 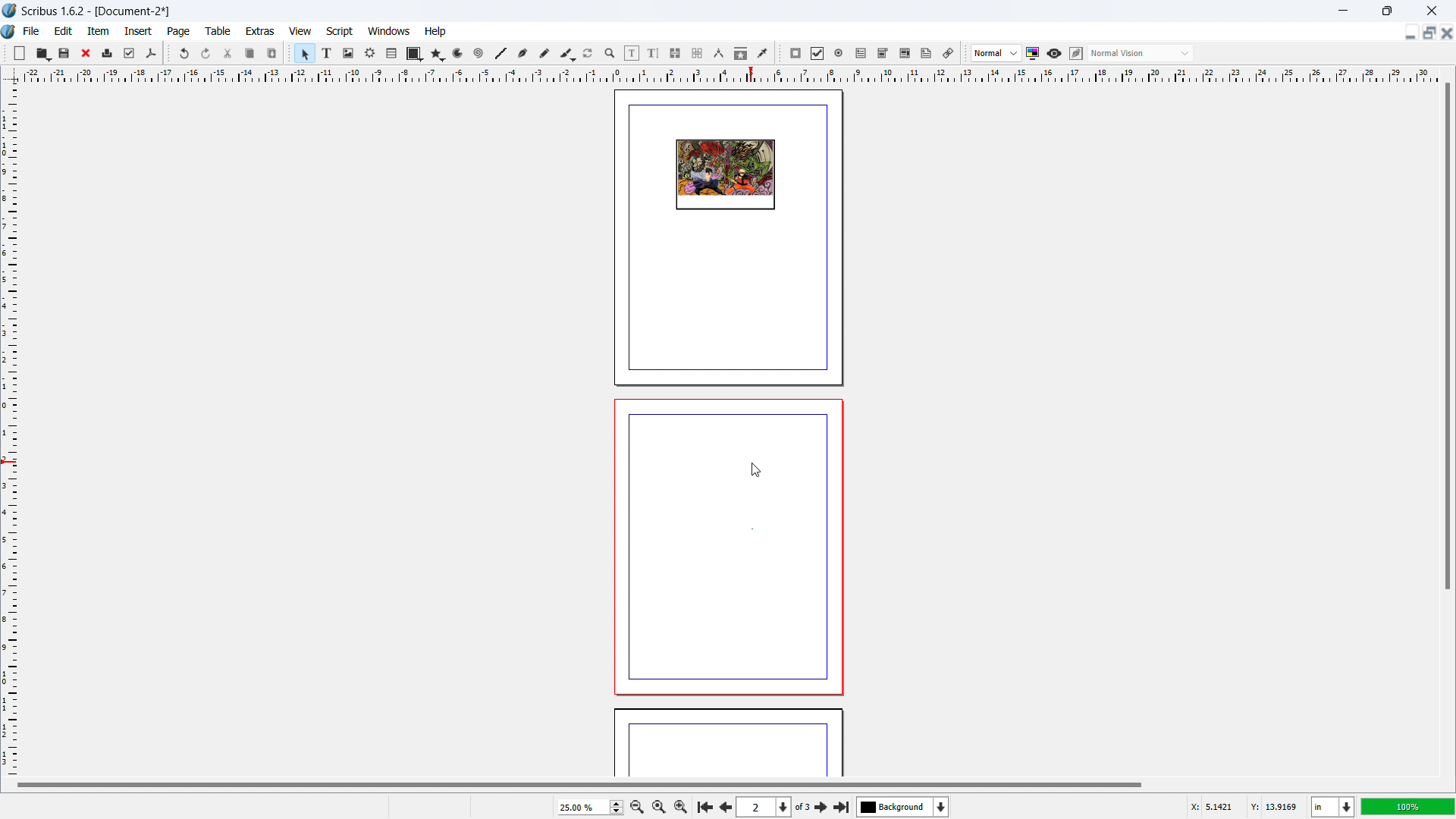 What do you see at coordinates (588, 54) in the screenshot?
I see `rotate item` at bounding box center [588, 54].